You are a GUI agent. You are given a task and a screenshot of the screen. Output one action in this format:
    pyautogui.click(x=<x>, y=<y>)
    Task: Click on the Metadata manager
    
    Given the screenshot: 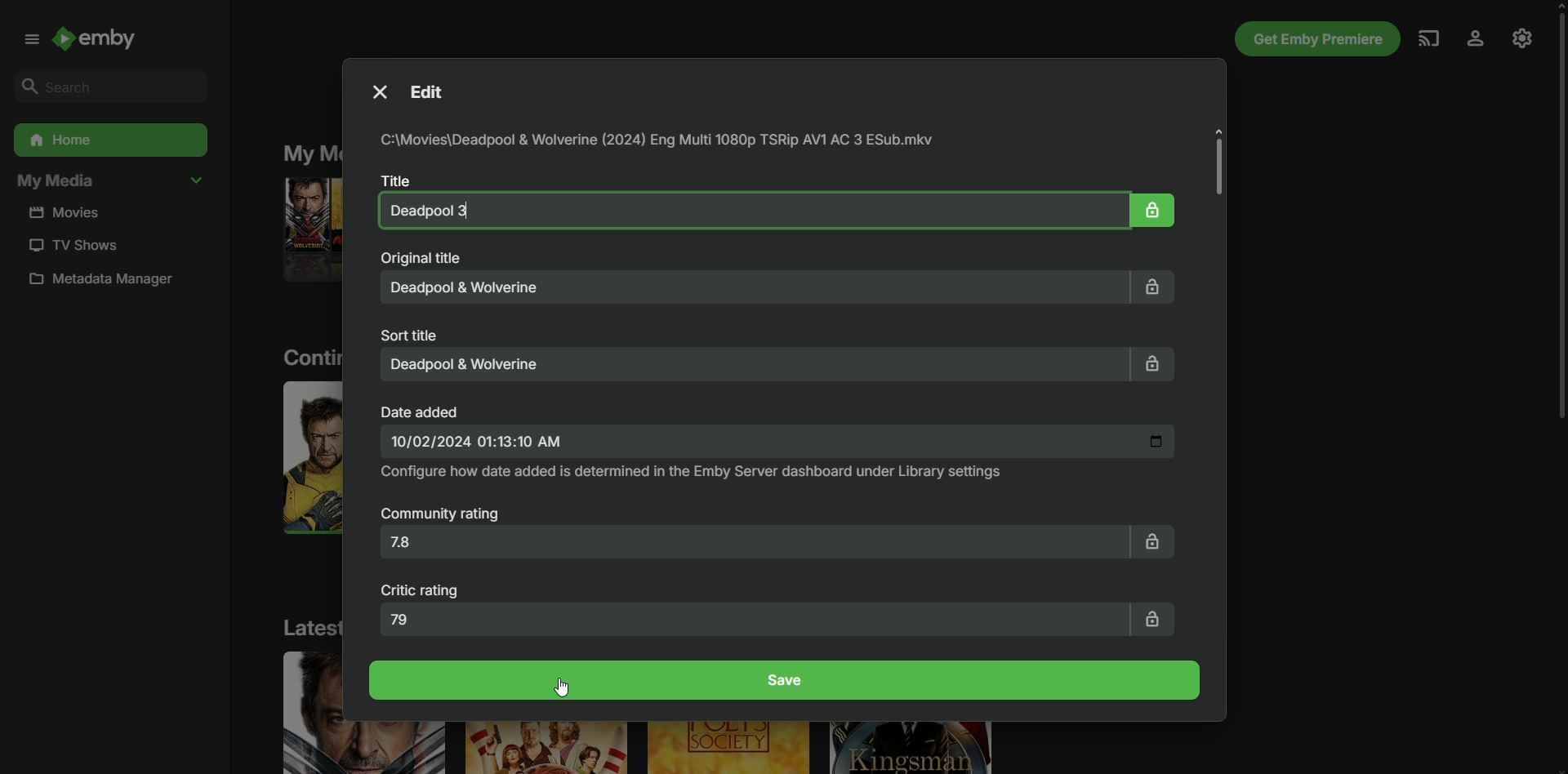 What is the action you would take?
    pyautogui.click(x=108, y=282)
    